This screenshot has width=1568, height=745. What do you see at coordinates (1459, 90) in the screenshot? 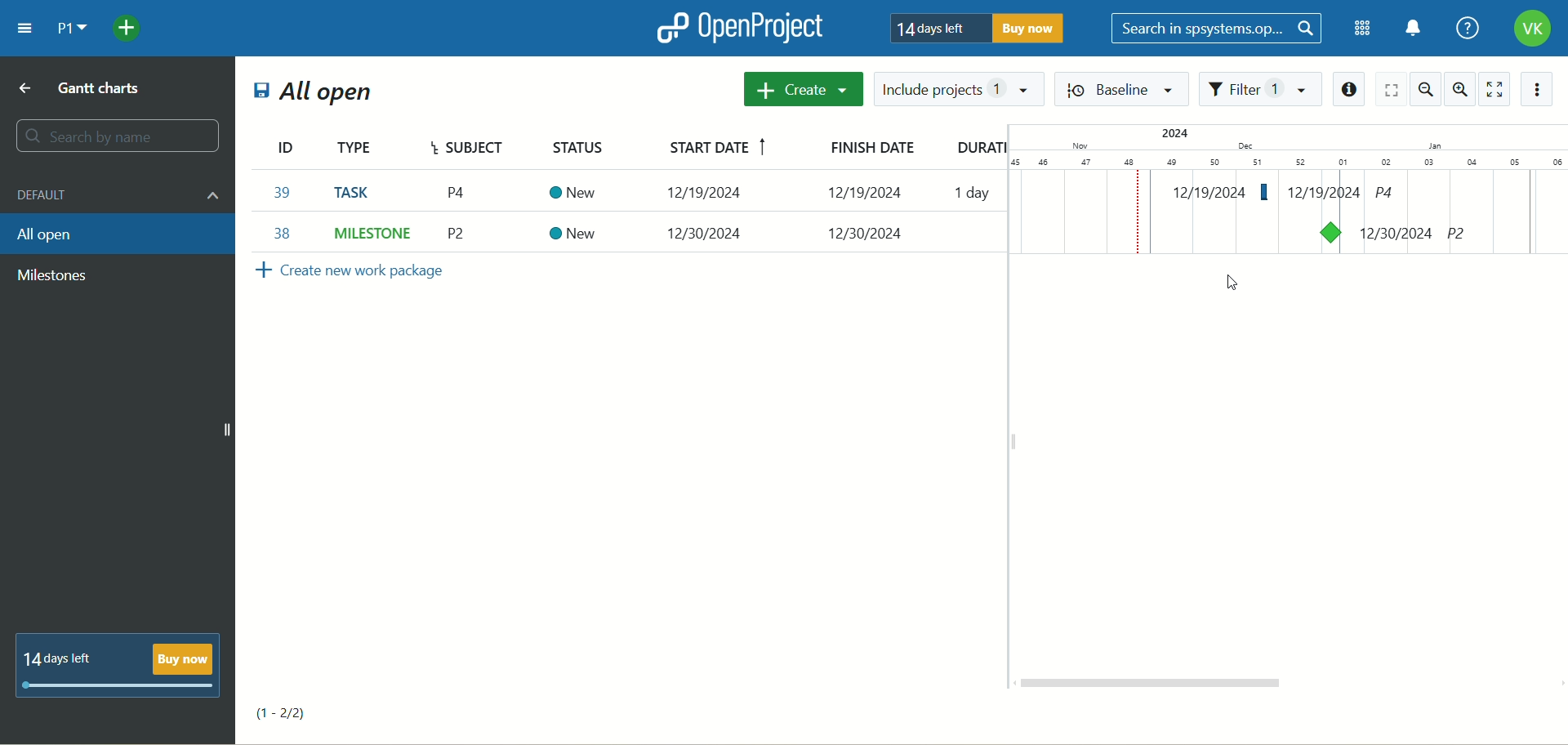
I see `zoom in` at bounding box center [1459, 90].